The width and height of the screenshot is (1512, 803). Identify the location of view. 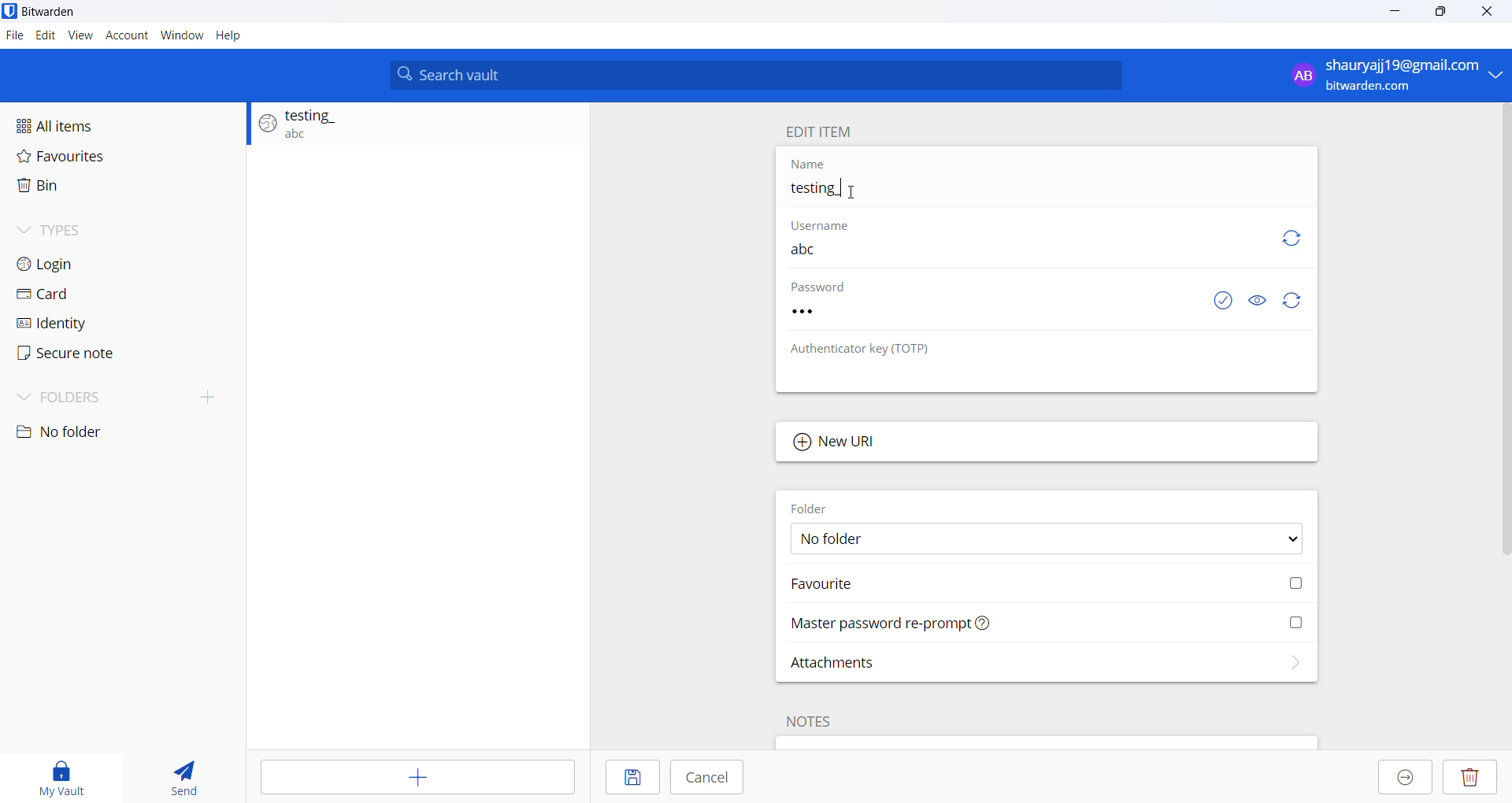
(80, 34).